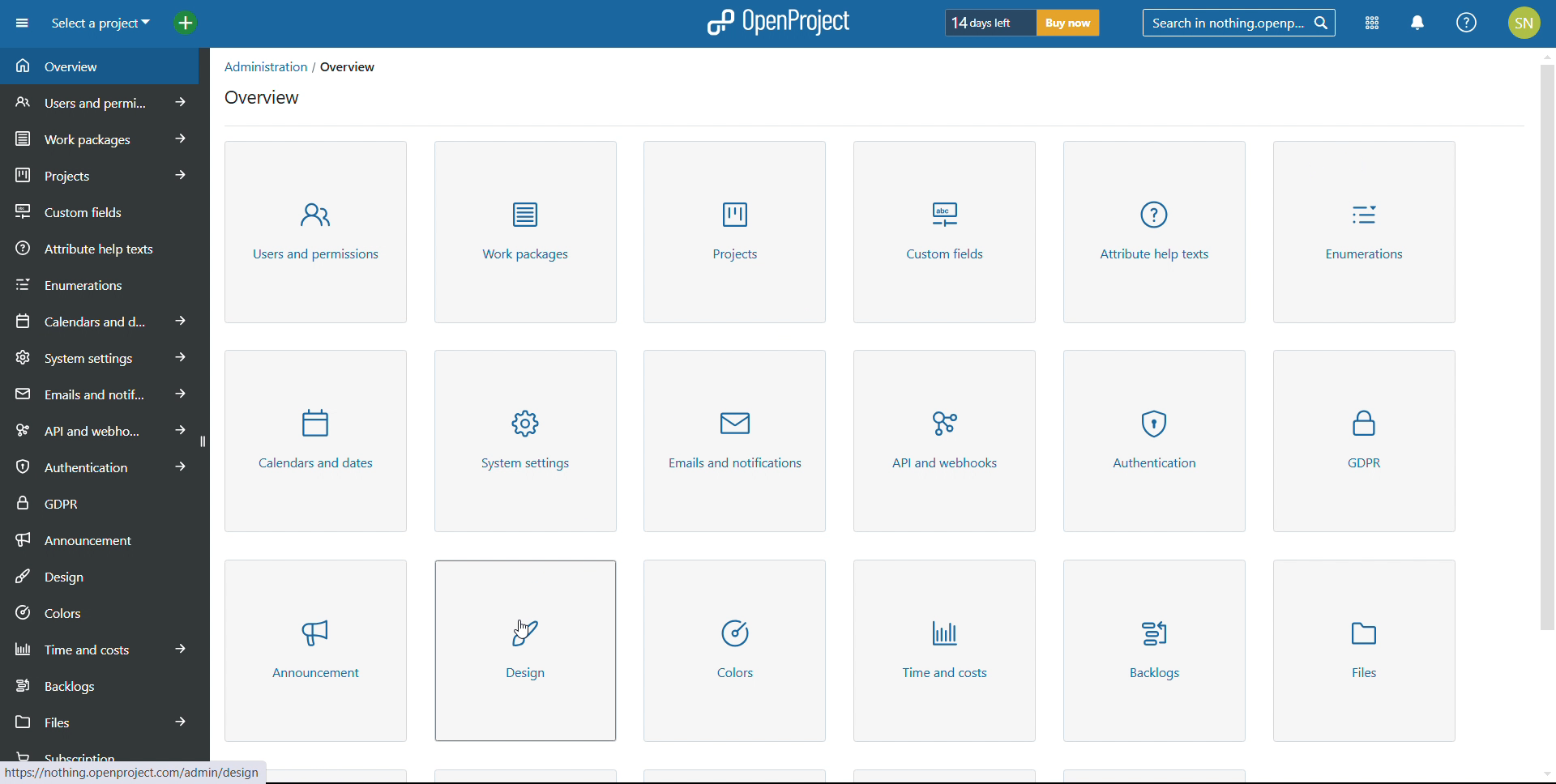 The height and width of the screenshot is (784, 1556). What do you see at coordinates (529, 441) in the screenshot?
I see `system settings` at bounding box center [529, 441].